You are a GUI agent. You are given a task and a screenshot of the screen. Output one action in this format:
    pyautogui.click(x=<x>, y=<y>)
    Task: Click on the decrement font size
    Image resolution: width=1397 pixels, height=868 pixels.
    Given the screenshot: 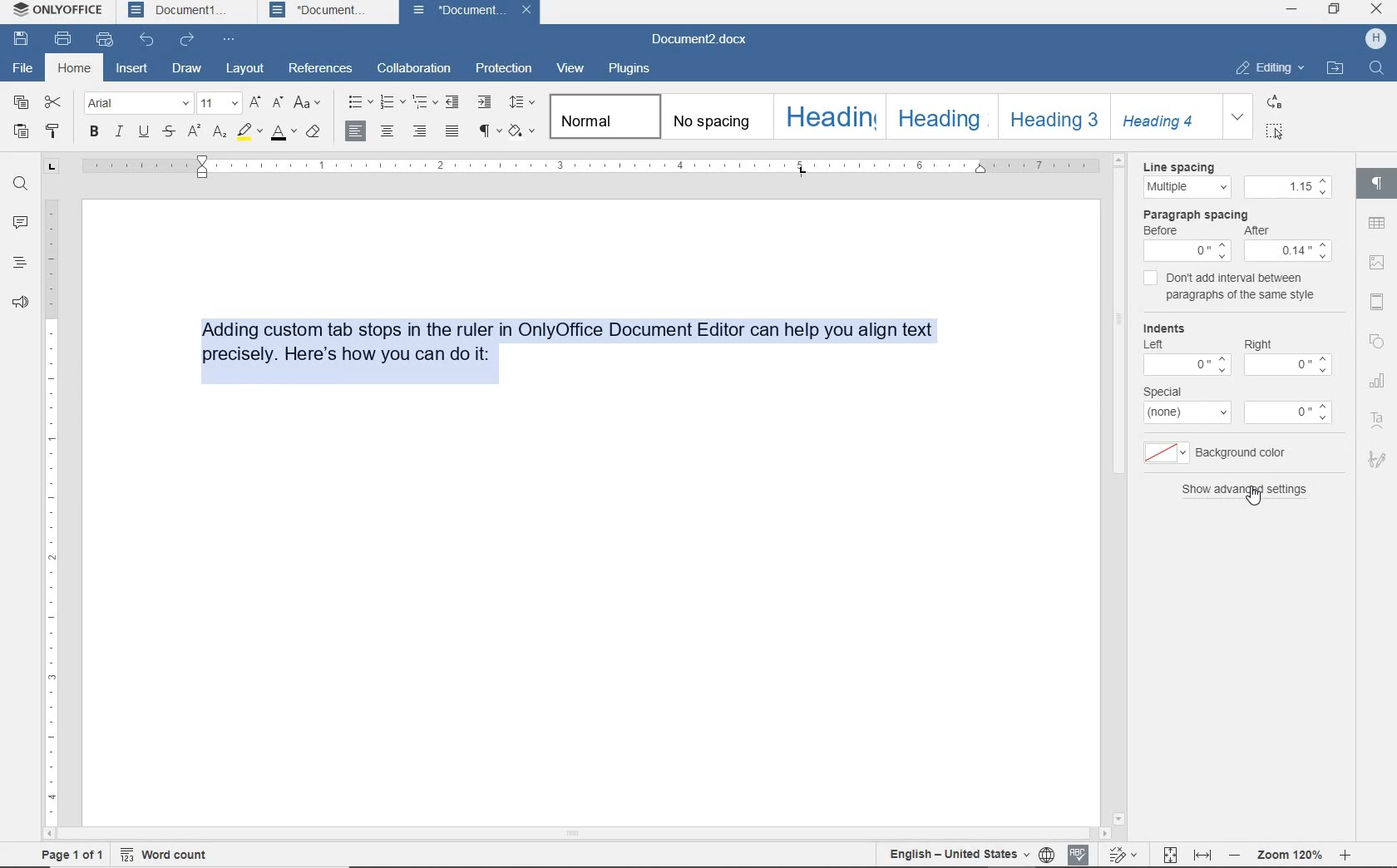 What is the action you would take?
    pyautogui.click(x=277, y=104)
    